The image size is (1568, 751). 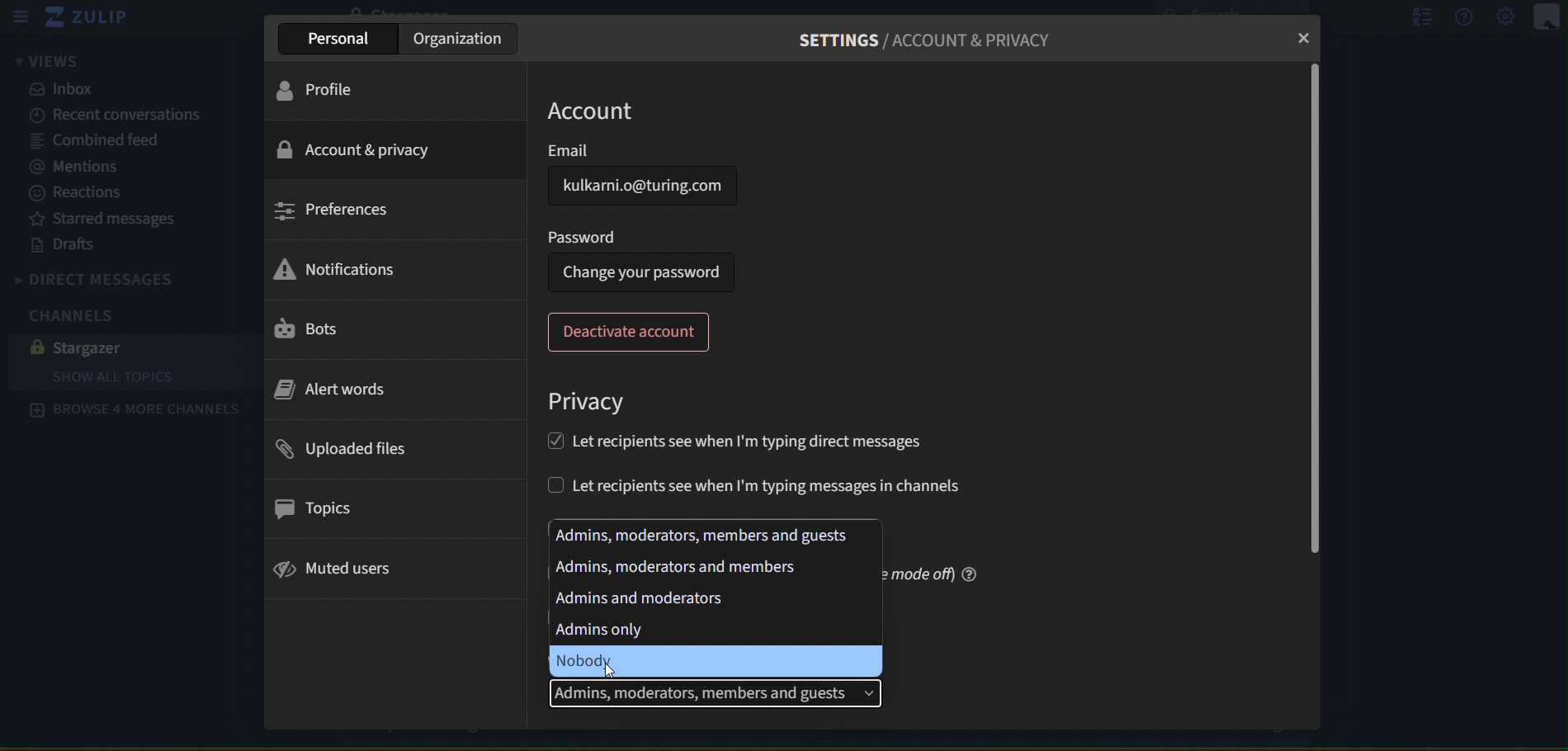 I want to click on admins, moderators, members and guests, so click(x=706, y=536).